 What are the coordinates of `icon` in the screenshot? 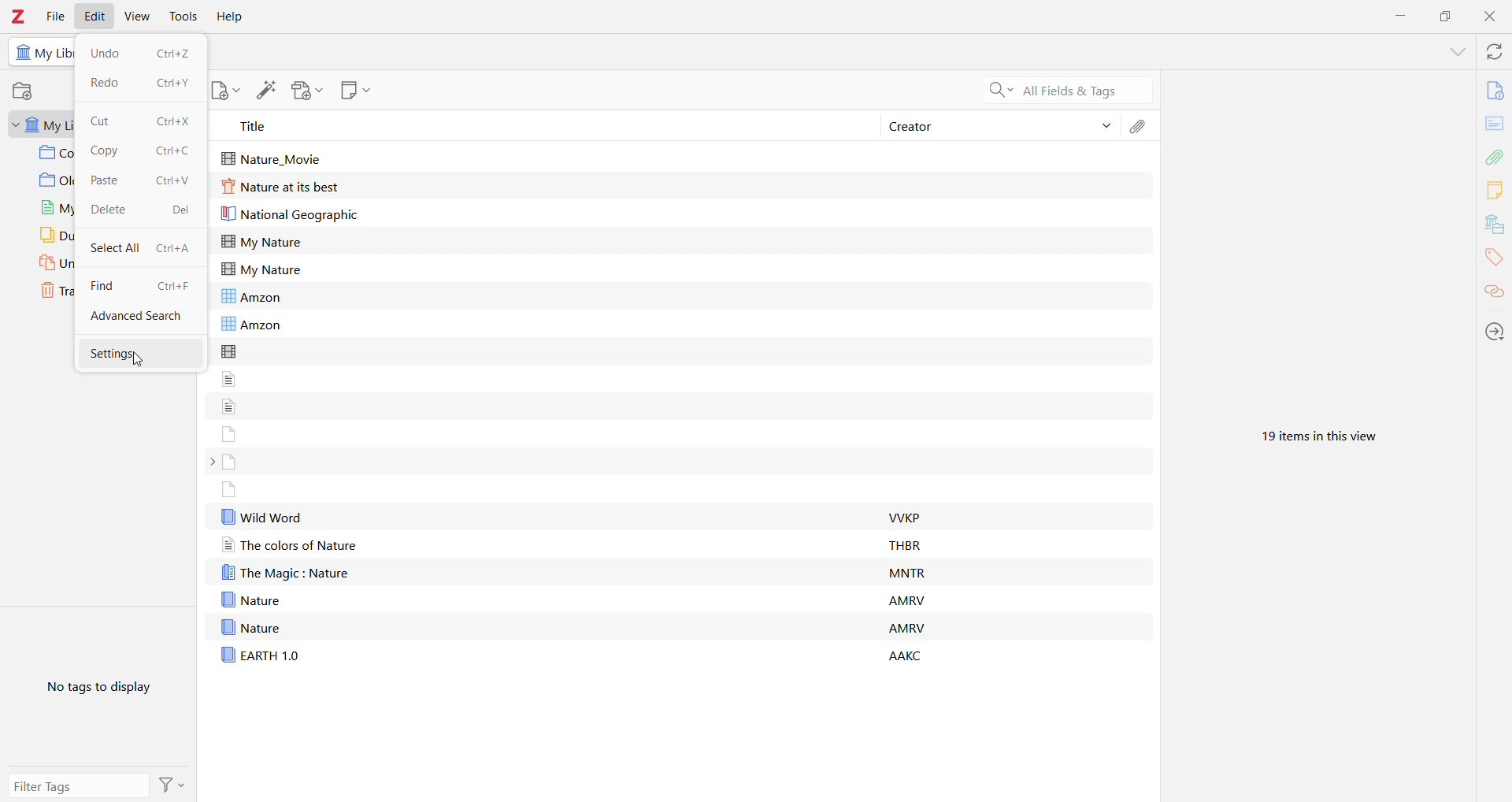 It's located at (21, 53).